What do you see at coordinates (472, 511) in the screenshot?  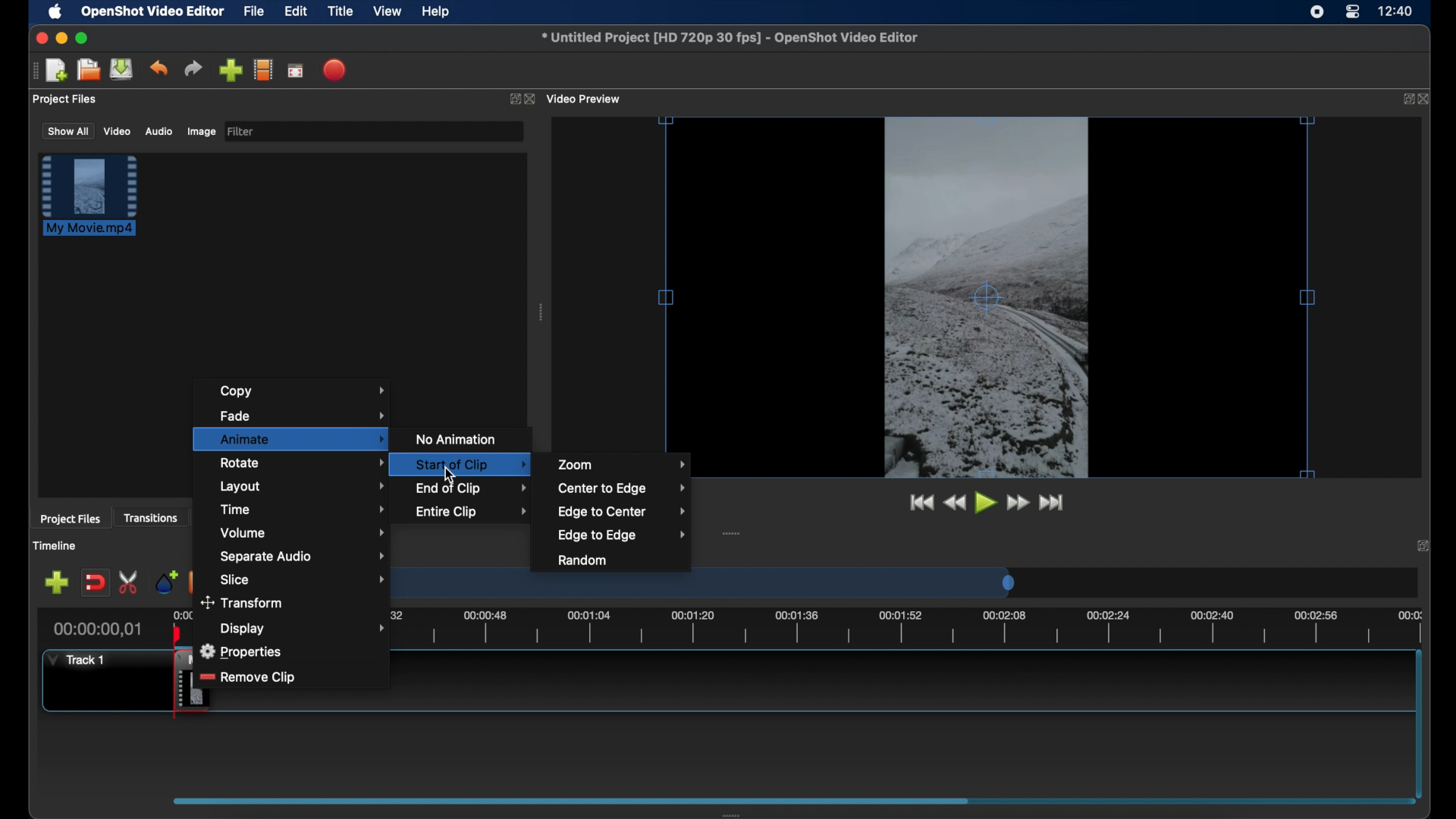 I see `entire clip menu` at bounding box center [472, 511].